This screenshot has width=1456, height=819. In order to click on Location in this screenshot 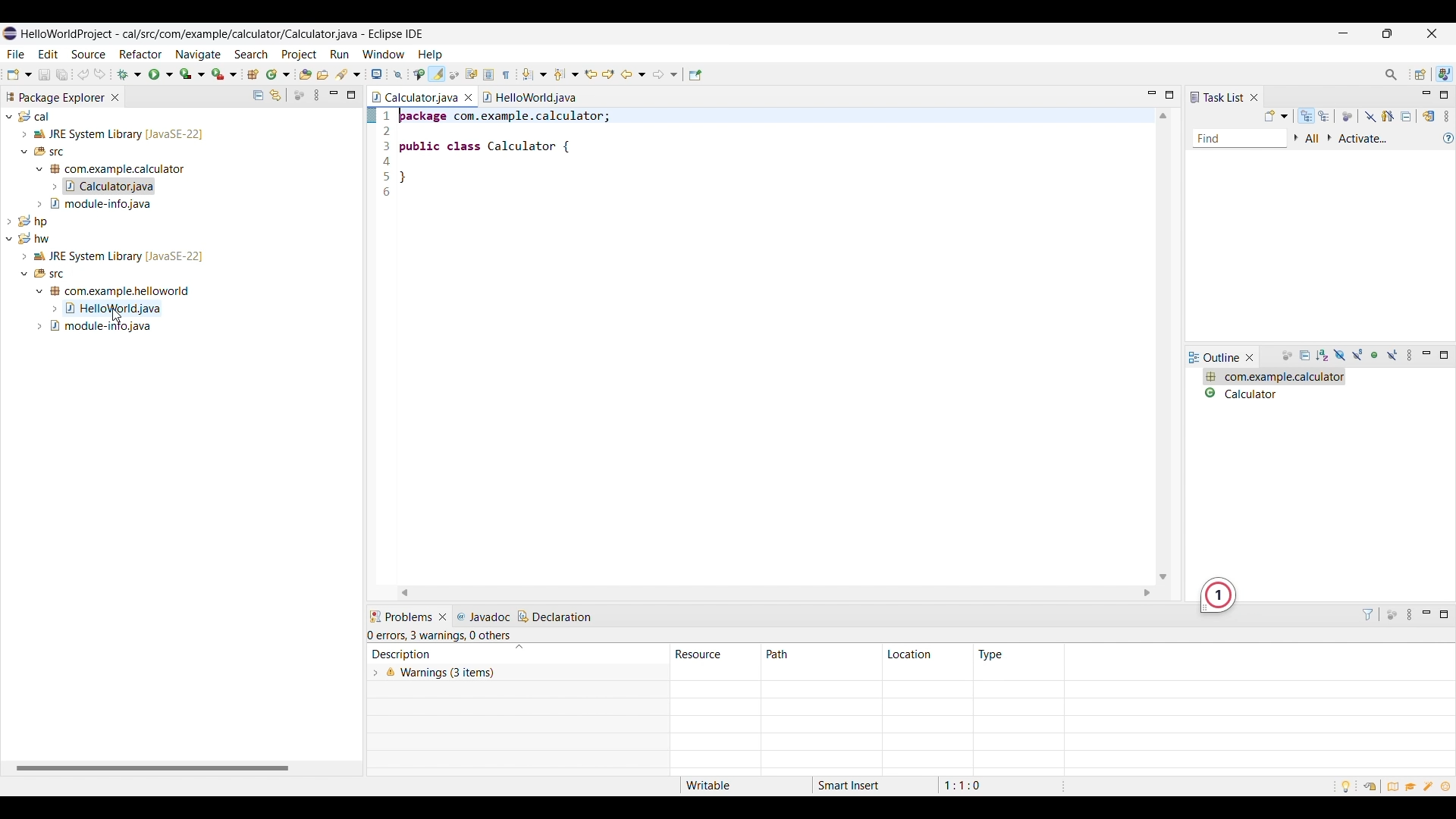, I will do `click(927, 654)`.